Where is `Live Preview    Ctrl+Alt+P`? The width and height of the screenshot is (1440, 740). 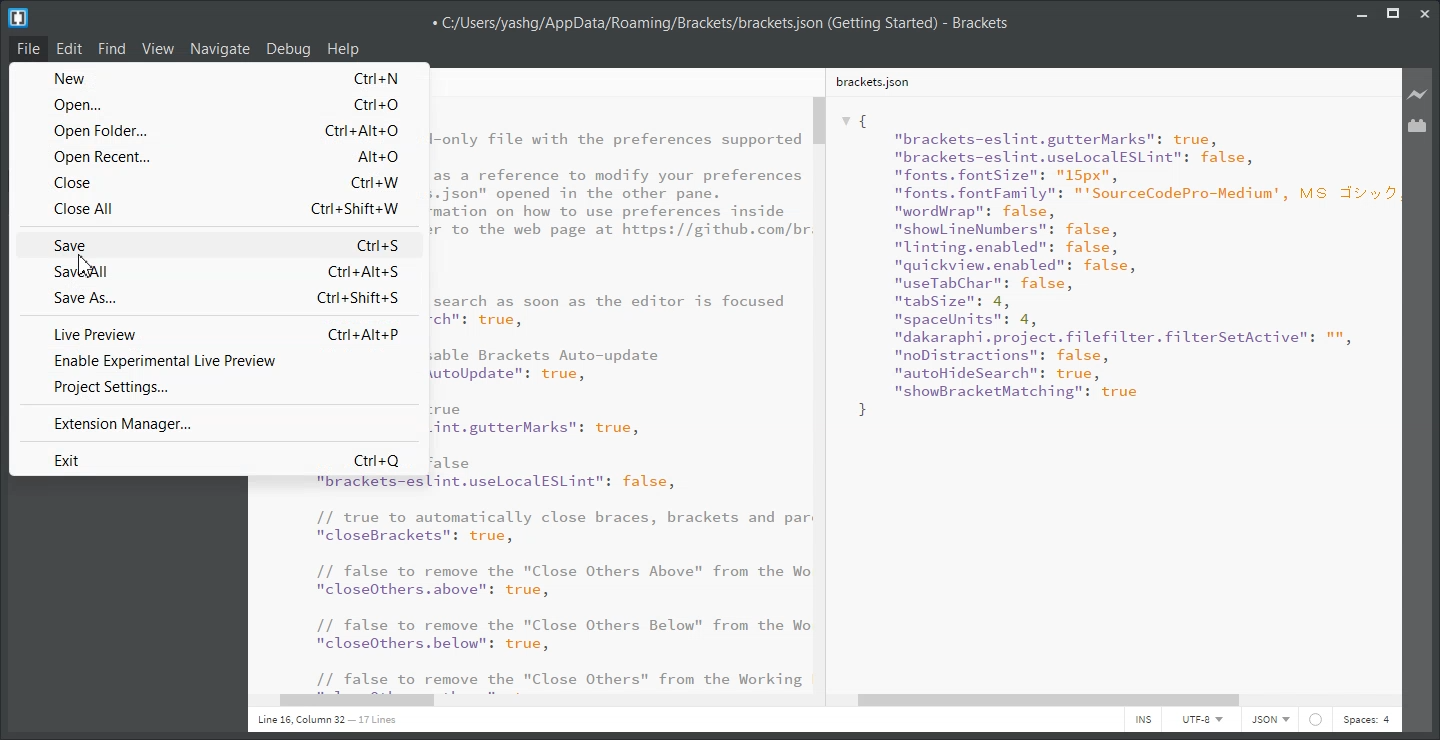
Live Preview    Ctrl+Alt+P is located at coordinates (221, 332).